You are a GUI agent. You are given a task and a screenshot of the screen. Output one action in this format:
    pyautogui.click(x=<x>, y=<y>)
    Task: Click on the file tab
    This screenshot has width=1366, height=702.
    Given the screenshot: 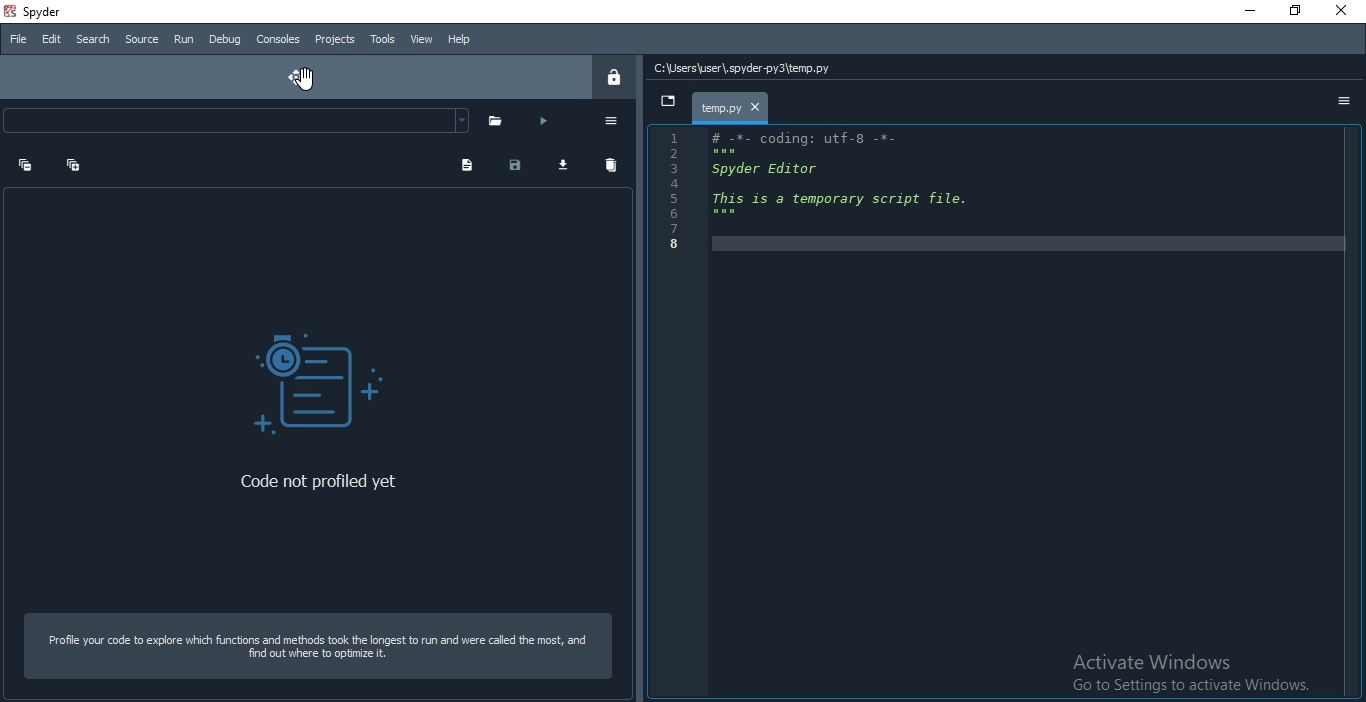 What is the action you would take?
    pyautogui.click(x=732, y=107)
    